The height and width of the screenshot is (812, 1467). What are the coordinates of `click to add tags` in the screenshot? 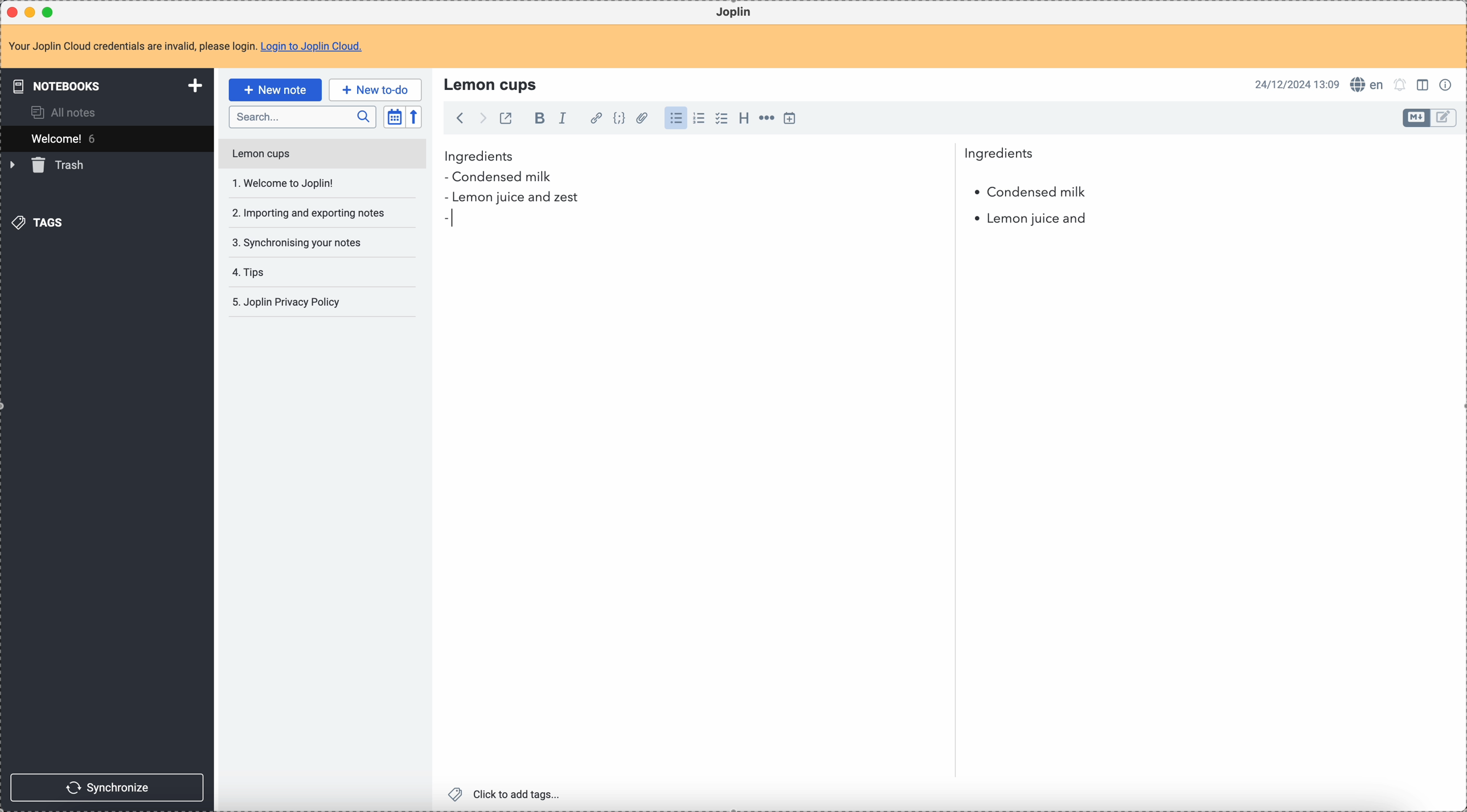 It's located at (507, 793).